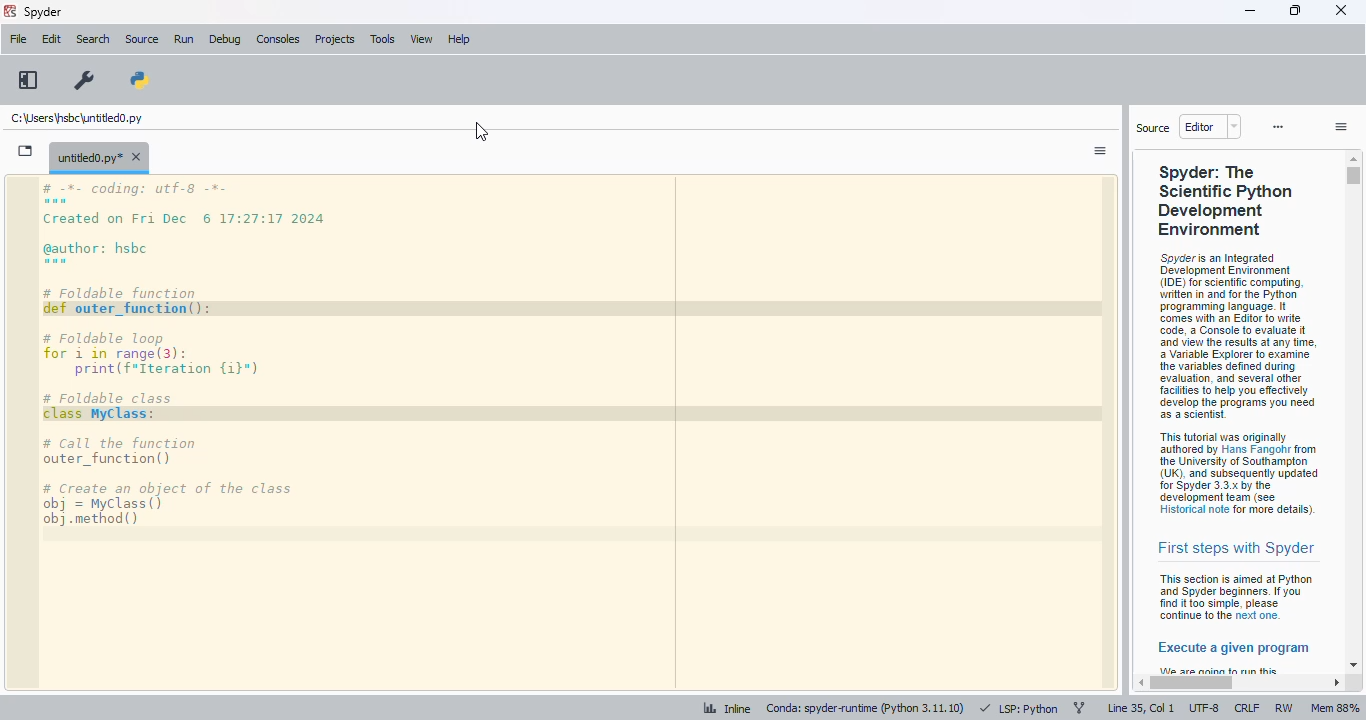 The height and width of the screenshot is (720, 1366). Describe the element at coordinates (279, 39) in the screenshot. I see `consoles` at that location.